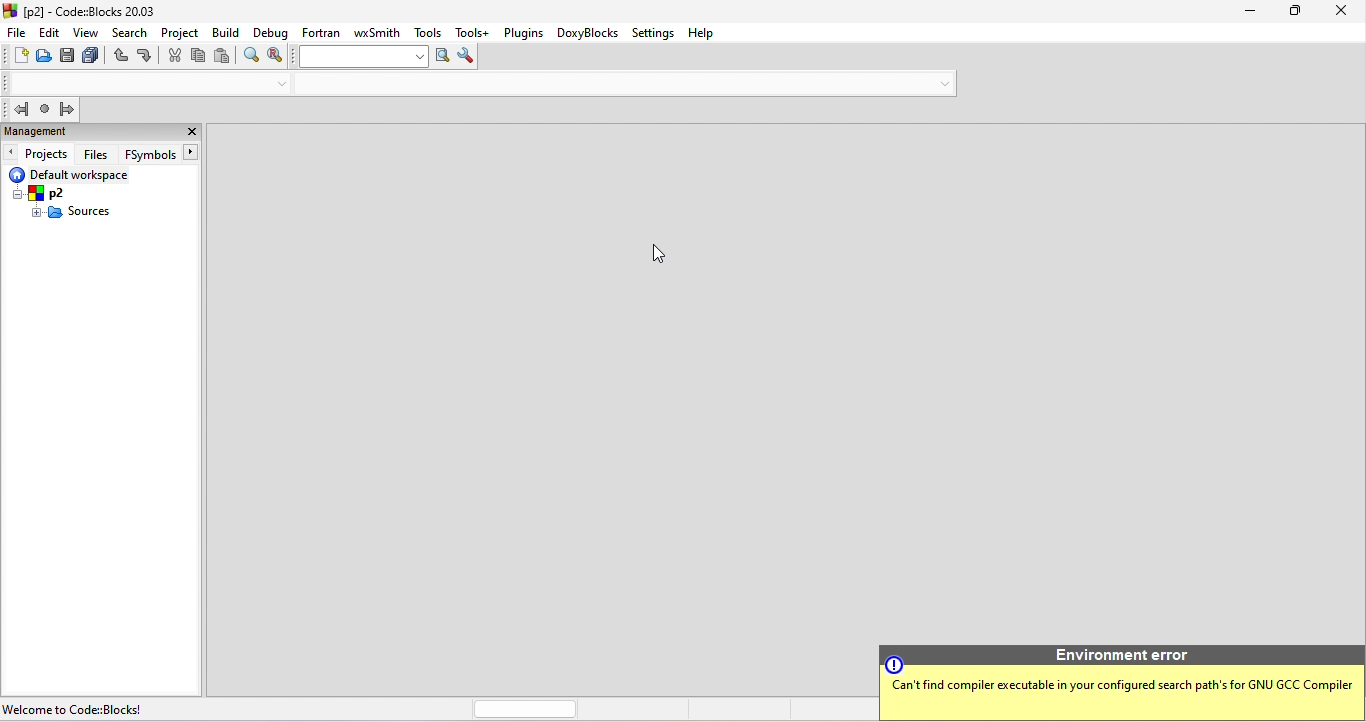 The image size is (1366, 722). Describe the element at coordinates (444, 56) in the screenshot. I see `run search` at that location.